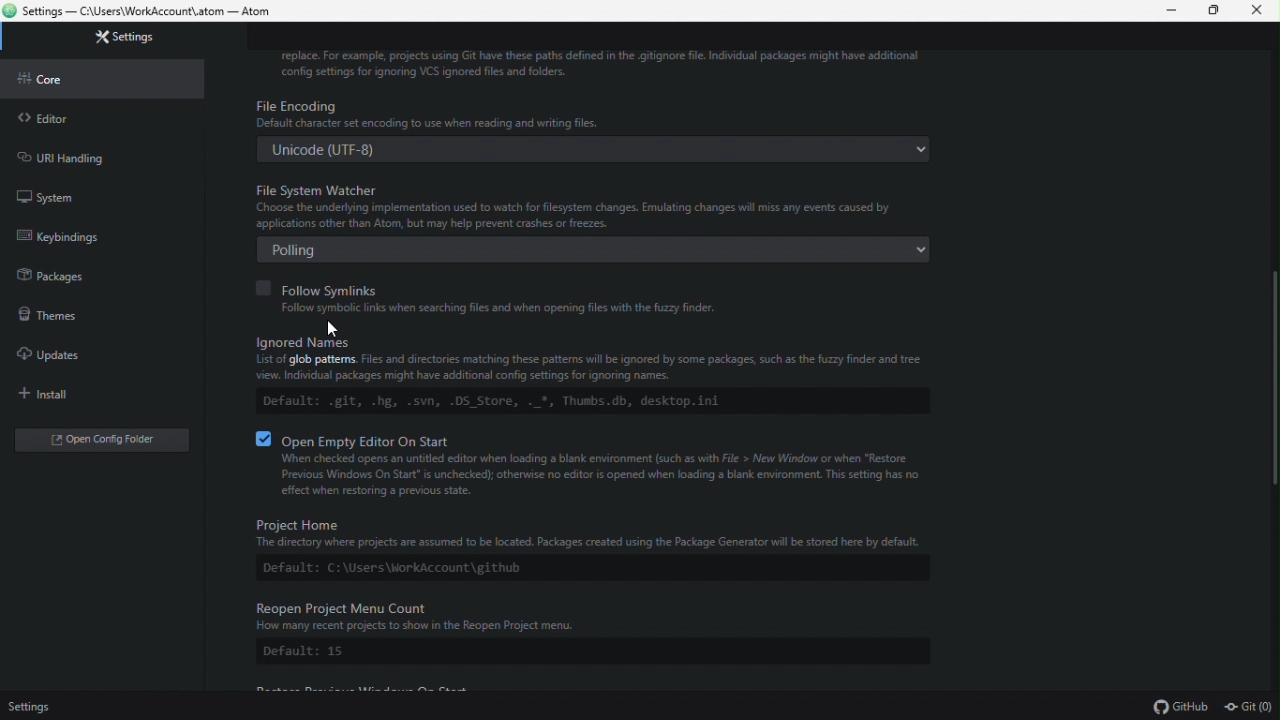 The image size is (1280, 720). What do you see at coordinates (527, 400) in the screenshot?
I see `Default: .git, .hg, .svn, .DS_Store, ._*, Thumbs.db, desktop.ini` at bounding box center [527, 400].